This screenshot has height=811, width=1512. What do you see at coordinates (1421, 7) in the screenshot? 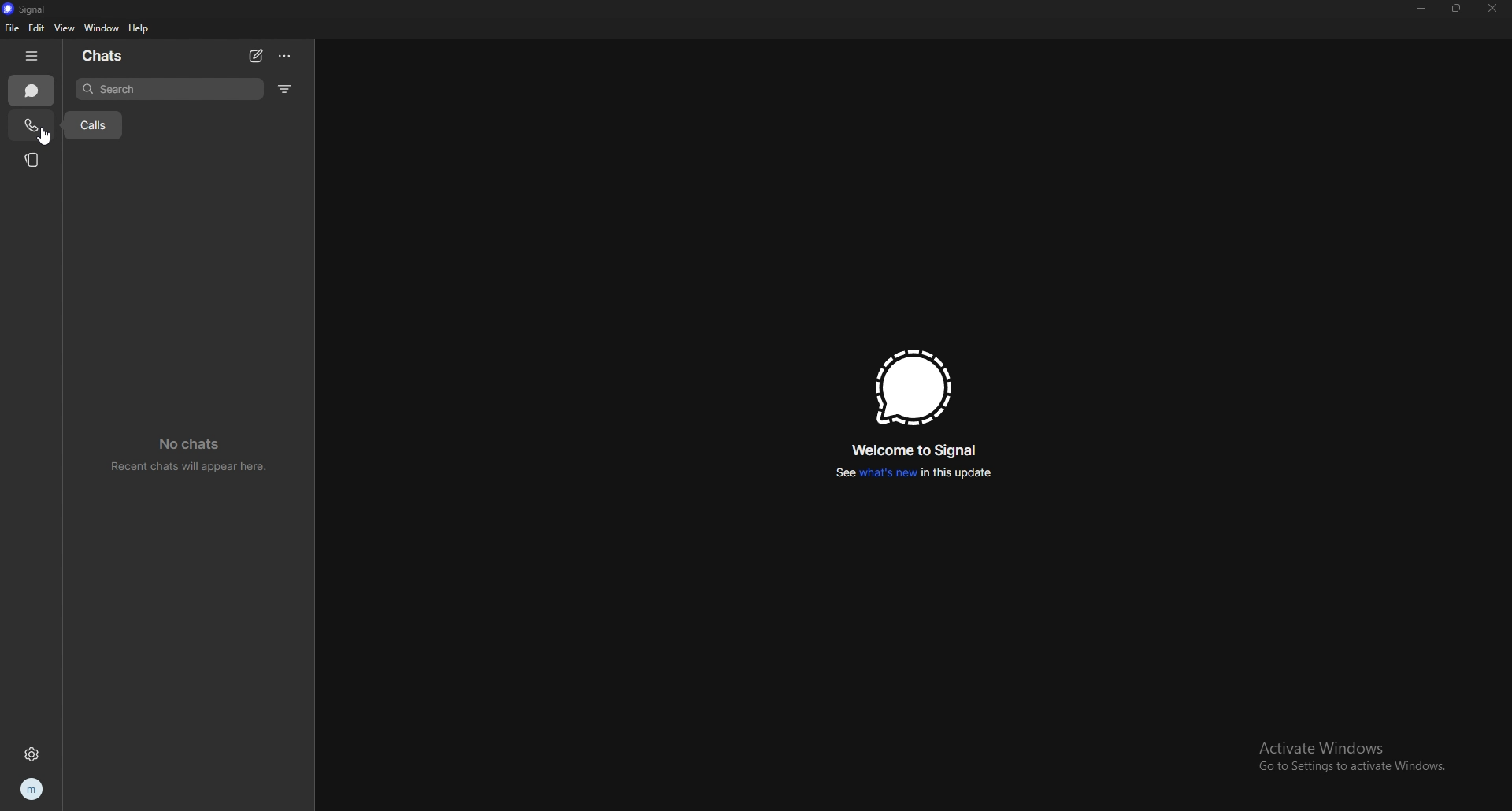
I see `minimize` at bounding box center [1421, 7].